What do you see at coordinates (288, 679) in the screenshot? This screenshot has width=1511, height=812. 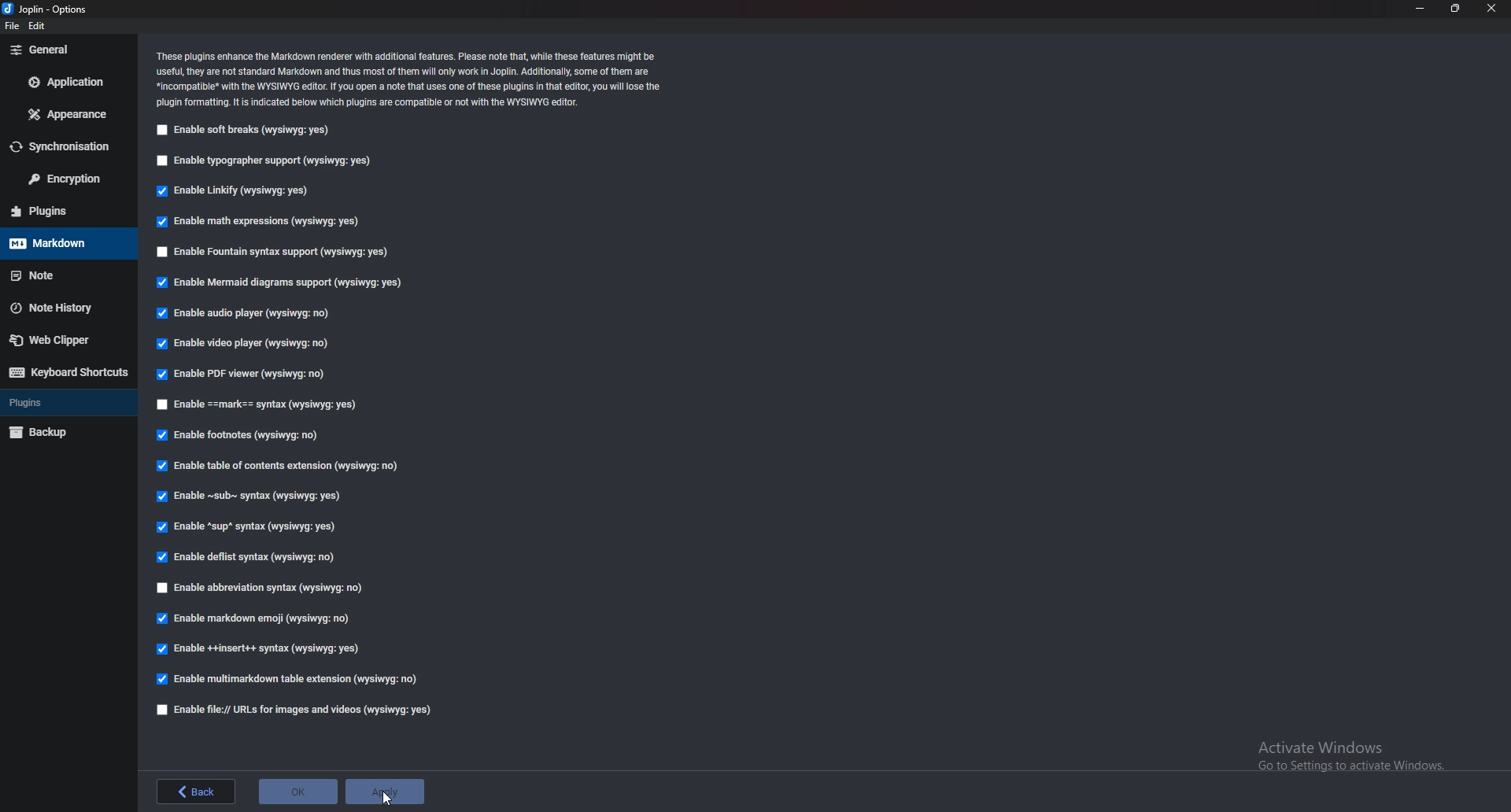 I see `Enable multimarkdown table extension` at bounding box center [288, 679].